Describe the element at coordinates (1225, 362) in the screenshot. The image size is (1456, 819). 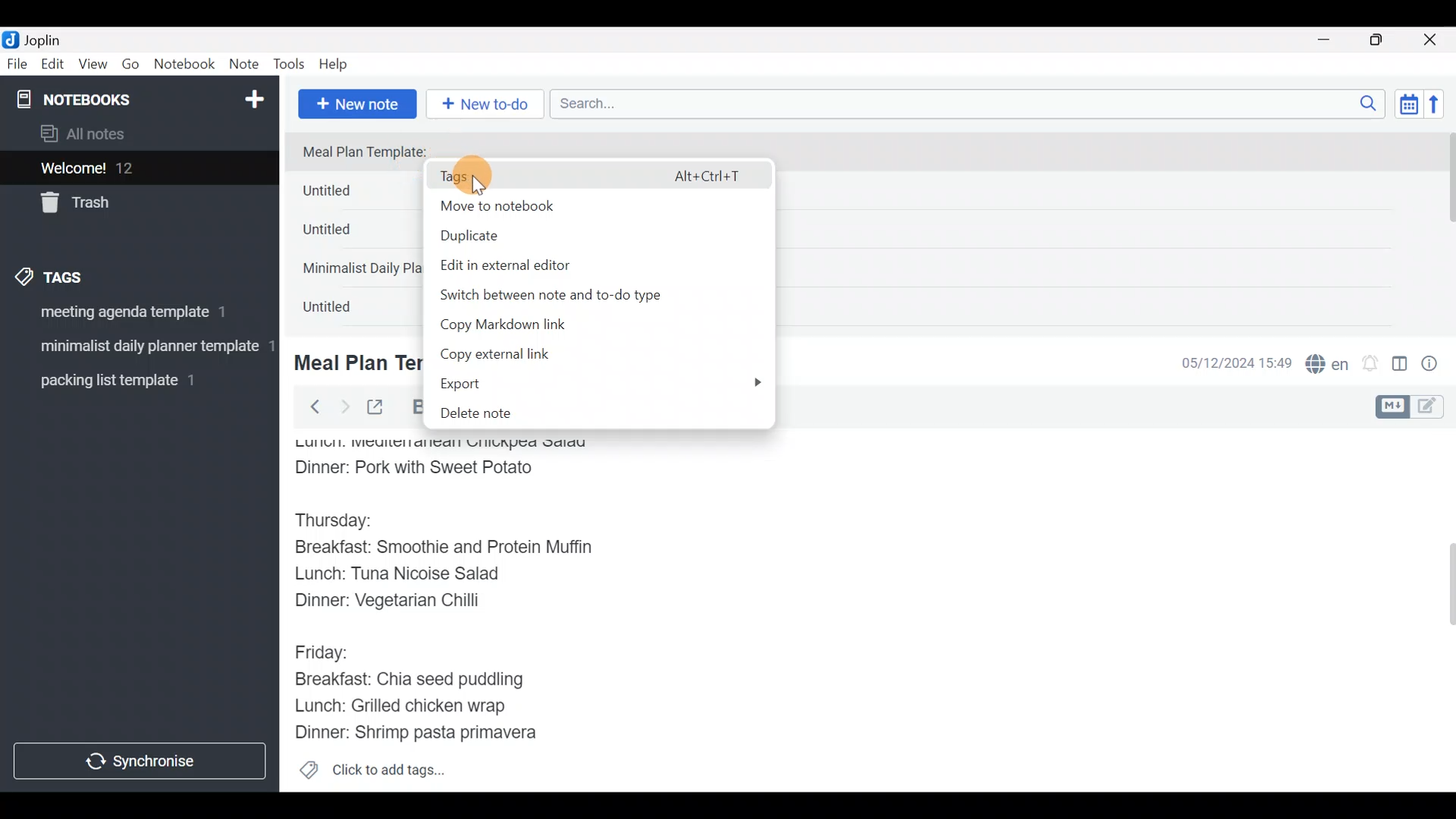
I see `Date & time` at that location.